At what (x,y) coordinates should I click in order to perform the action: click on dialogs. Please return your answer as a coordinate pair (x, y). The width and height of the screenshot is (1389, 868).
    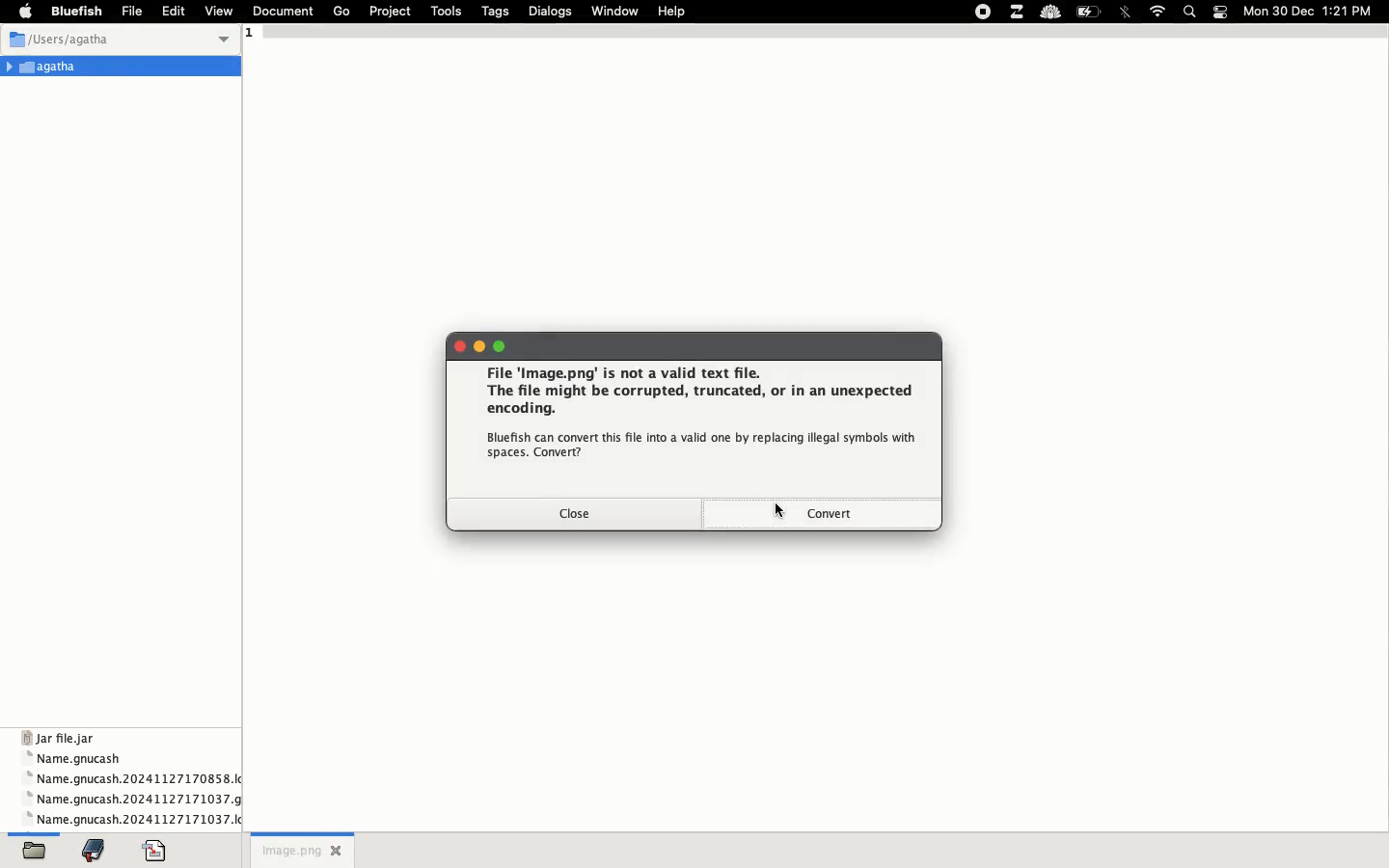
    Looking at the image, I should click on (551, 14).